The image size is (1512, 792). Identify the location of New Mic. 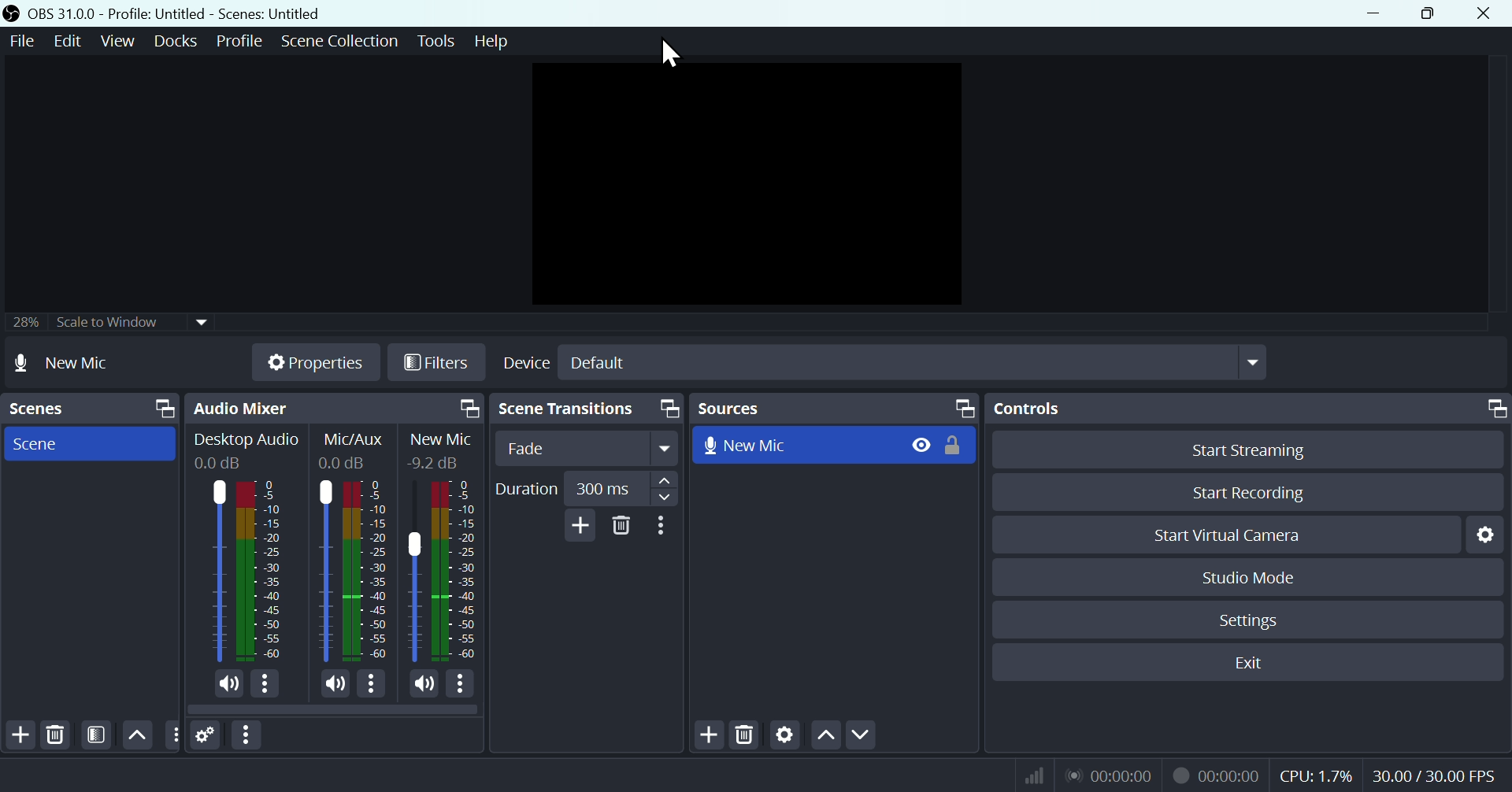
(442, 440).